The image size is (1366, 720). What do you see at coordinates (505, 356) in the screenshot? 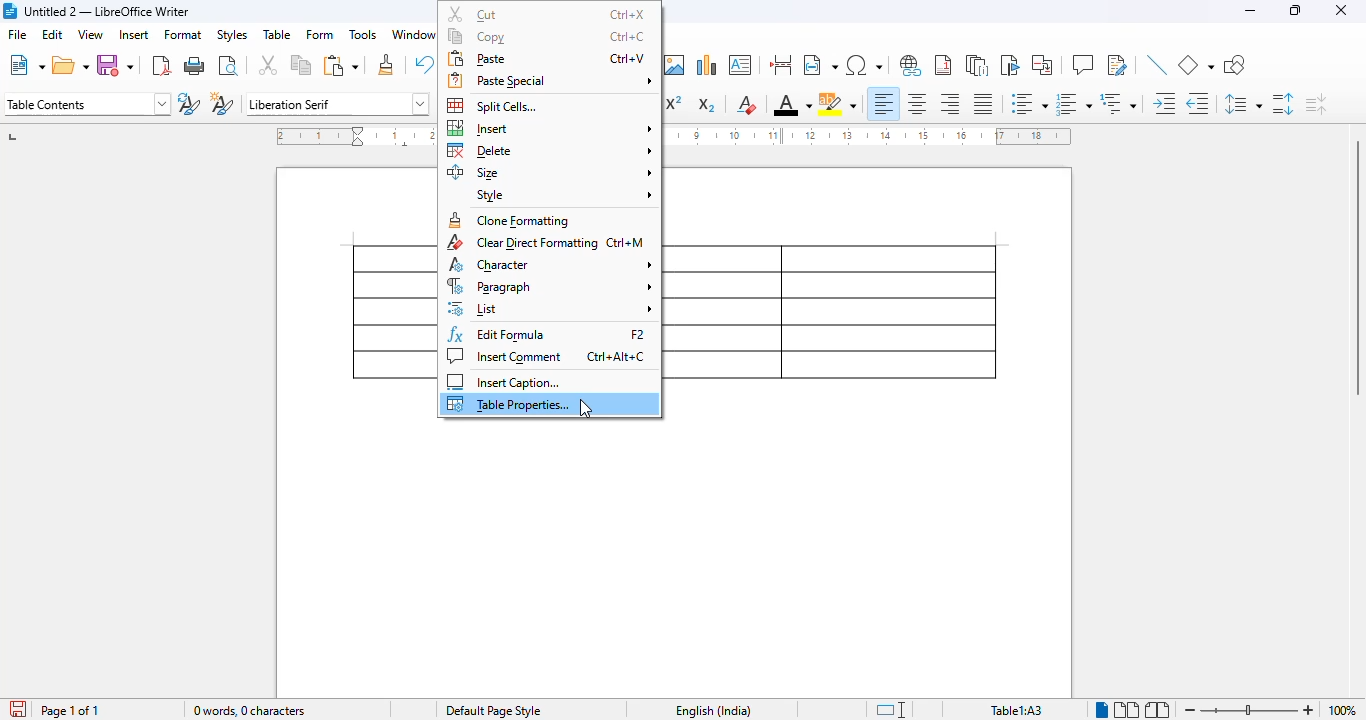
I see `insert comment` at bounding box center [505, 356].